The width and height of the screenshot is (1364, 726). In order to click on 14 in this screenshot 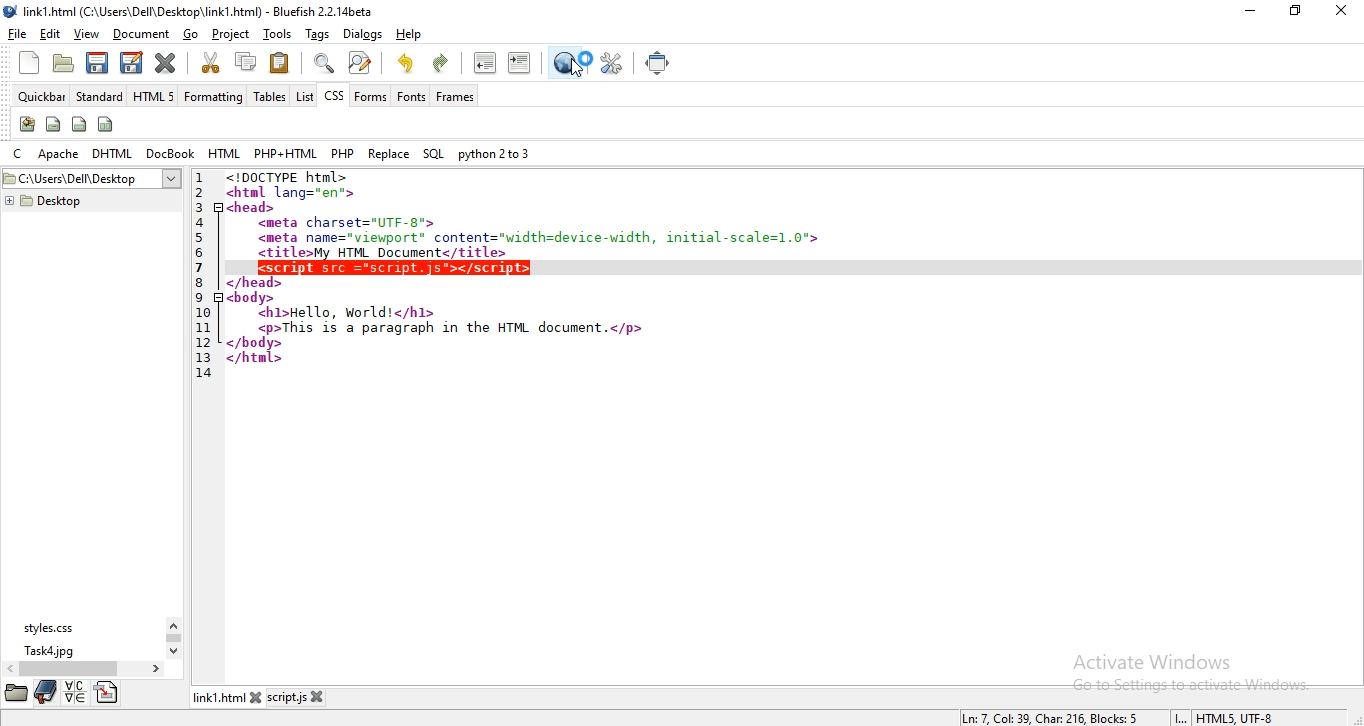, I will do `click(204, 374)`.